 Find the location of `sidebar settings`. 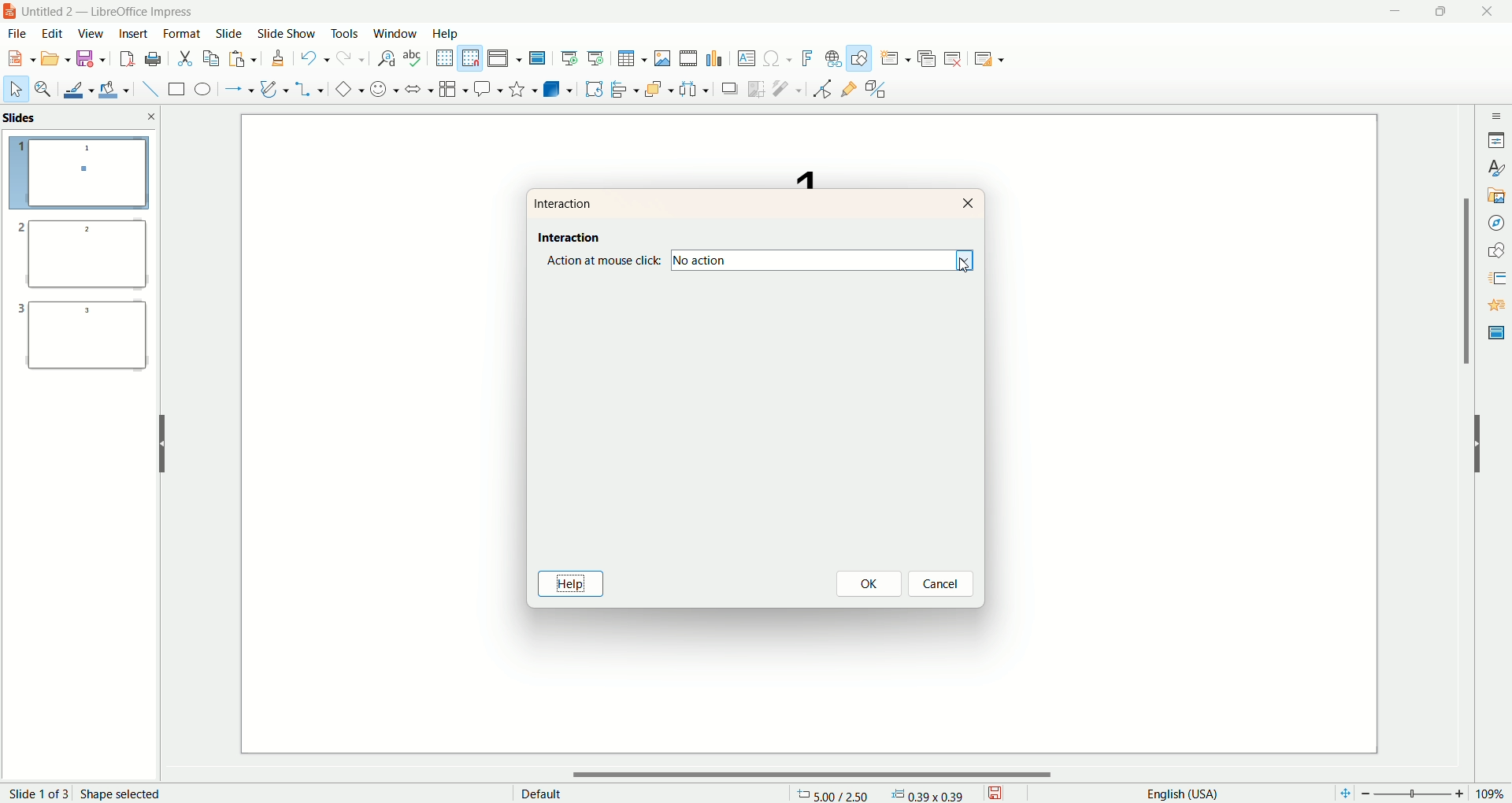

sidebar settings is located at coordinates (1495, 113).